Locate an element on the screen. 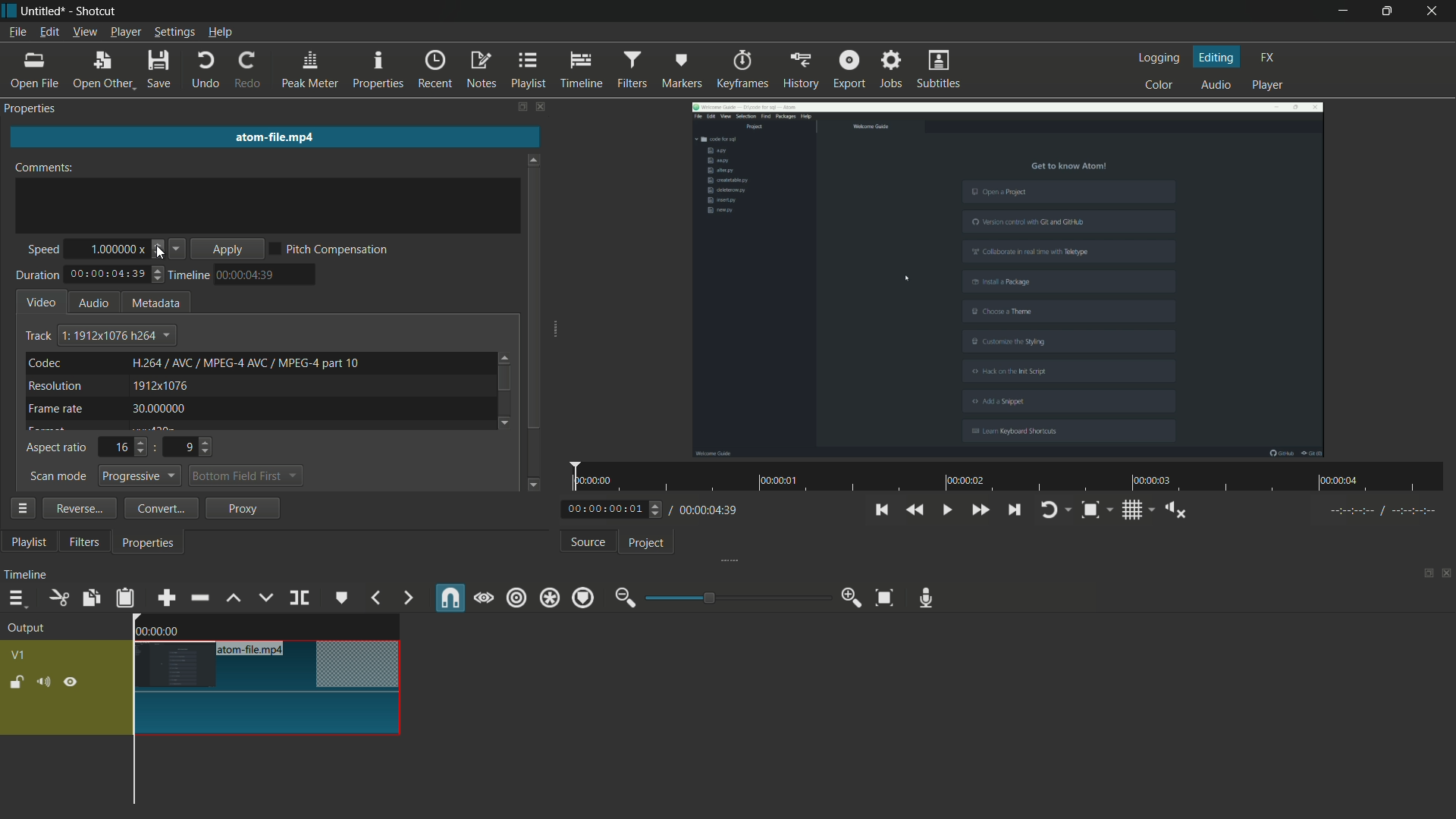 This screenshot has width=1456, height=819. markers is located at coordinates (683, 69).